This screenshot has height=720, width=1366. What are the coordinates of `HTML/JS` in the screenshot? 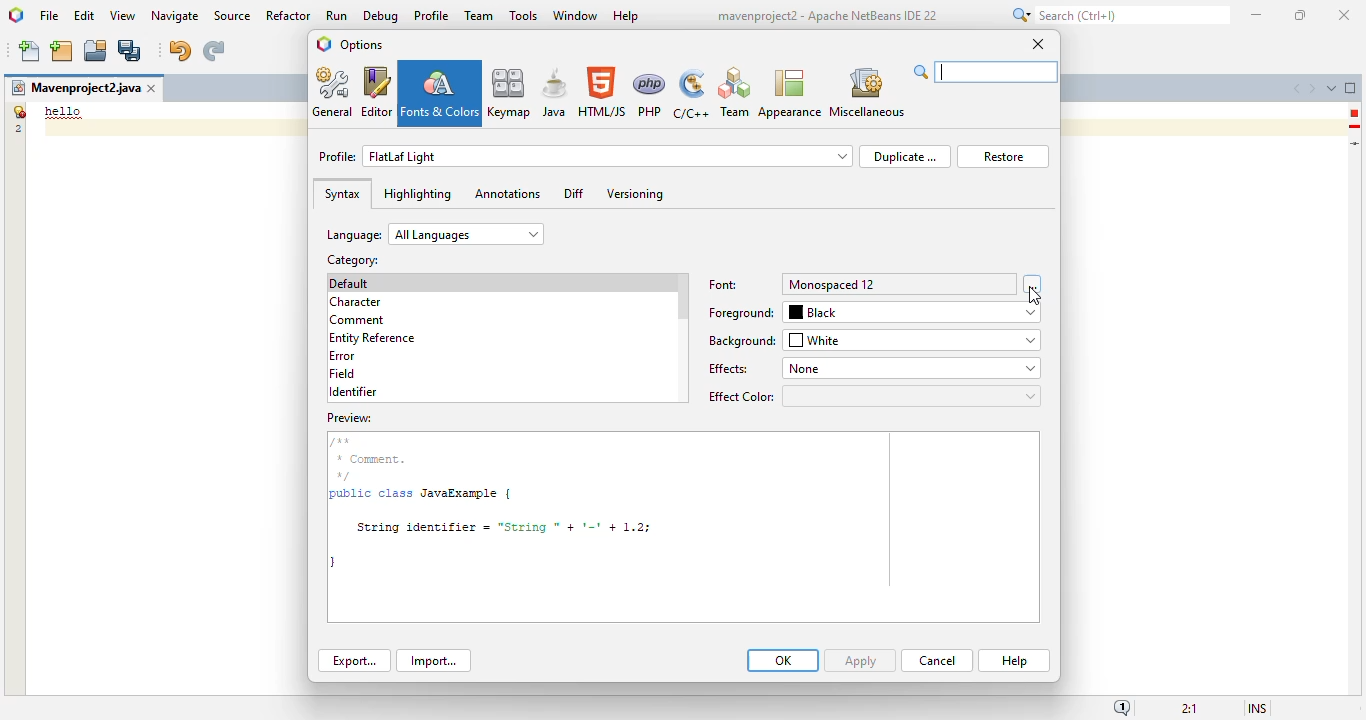 It's located at (603, 92).